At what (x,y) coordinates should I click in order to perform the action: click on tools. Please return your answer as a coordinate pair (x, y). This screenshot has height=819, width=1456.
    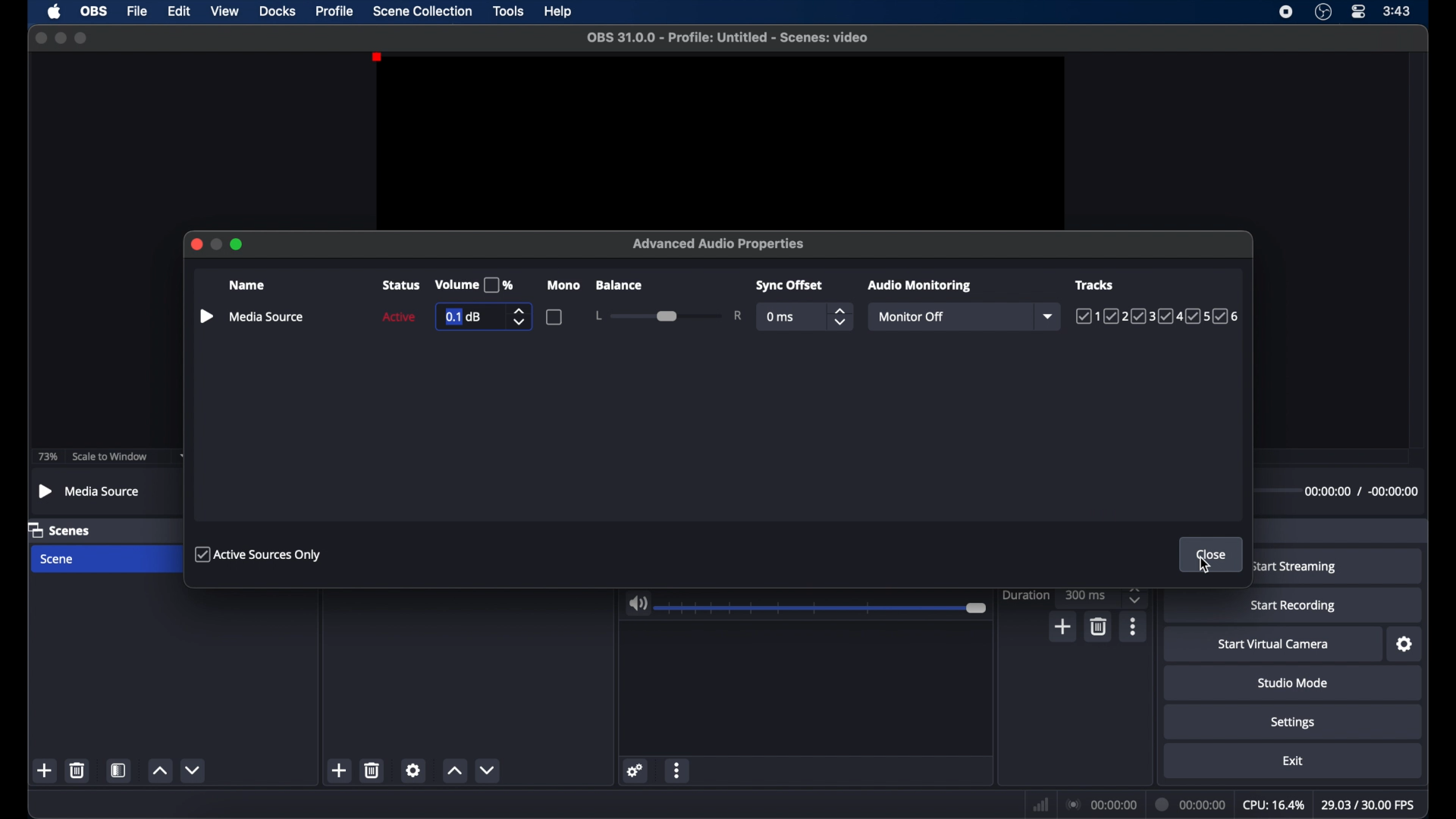
    Looking at the image, I should click on (510, 11).